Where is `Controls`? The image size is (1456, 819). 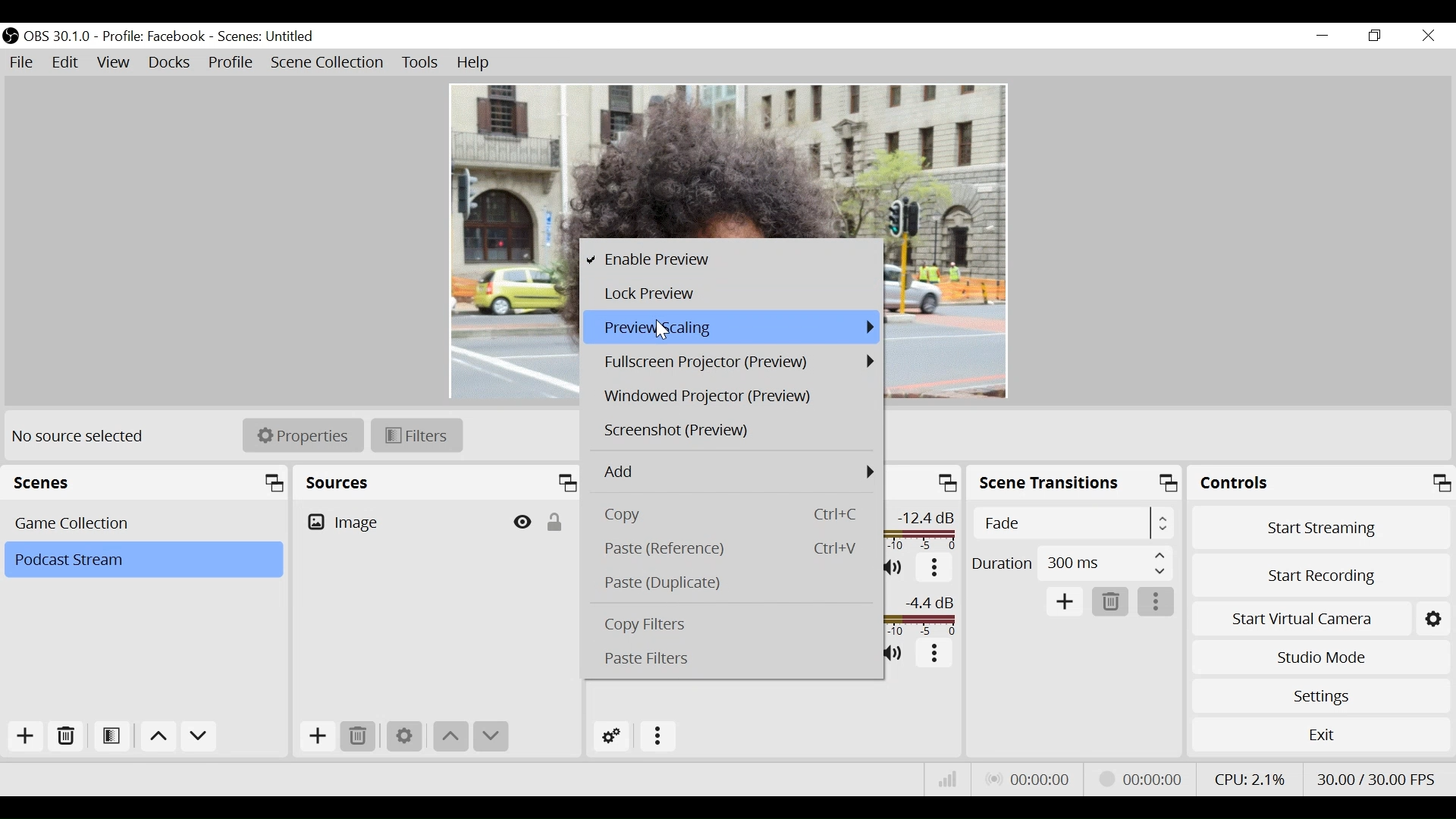 Controls is located at coordinates (1323, 482).